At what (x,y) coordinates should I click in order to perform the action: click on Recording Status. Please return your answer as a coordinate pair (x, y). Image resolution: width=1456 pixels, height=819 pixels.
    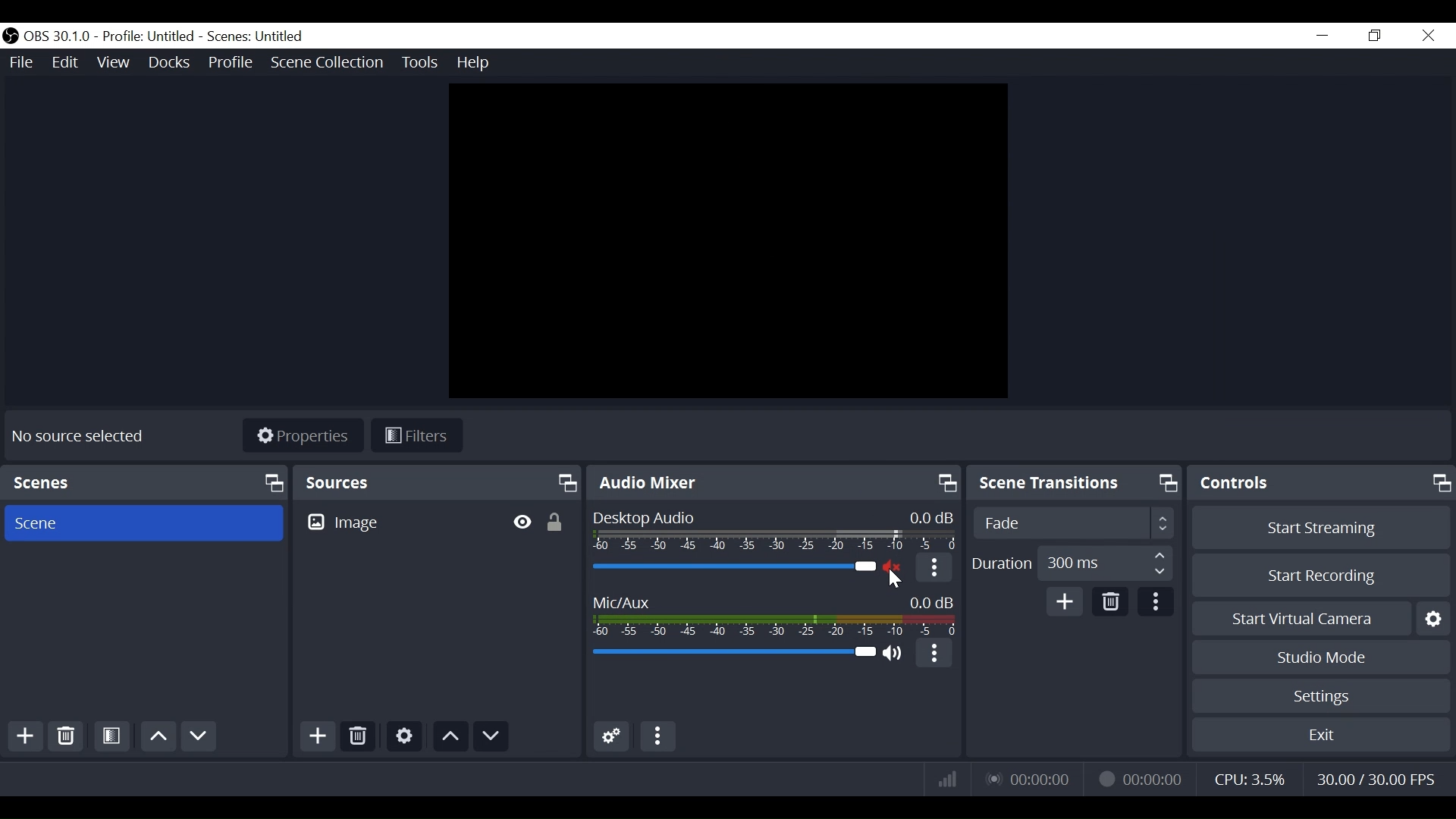
    Looking at the image, I should click on (1143, 780).